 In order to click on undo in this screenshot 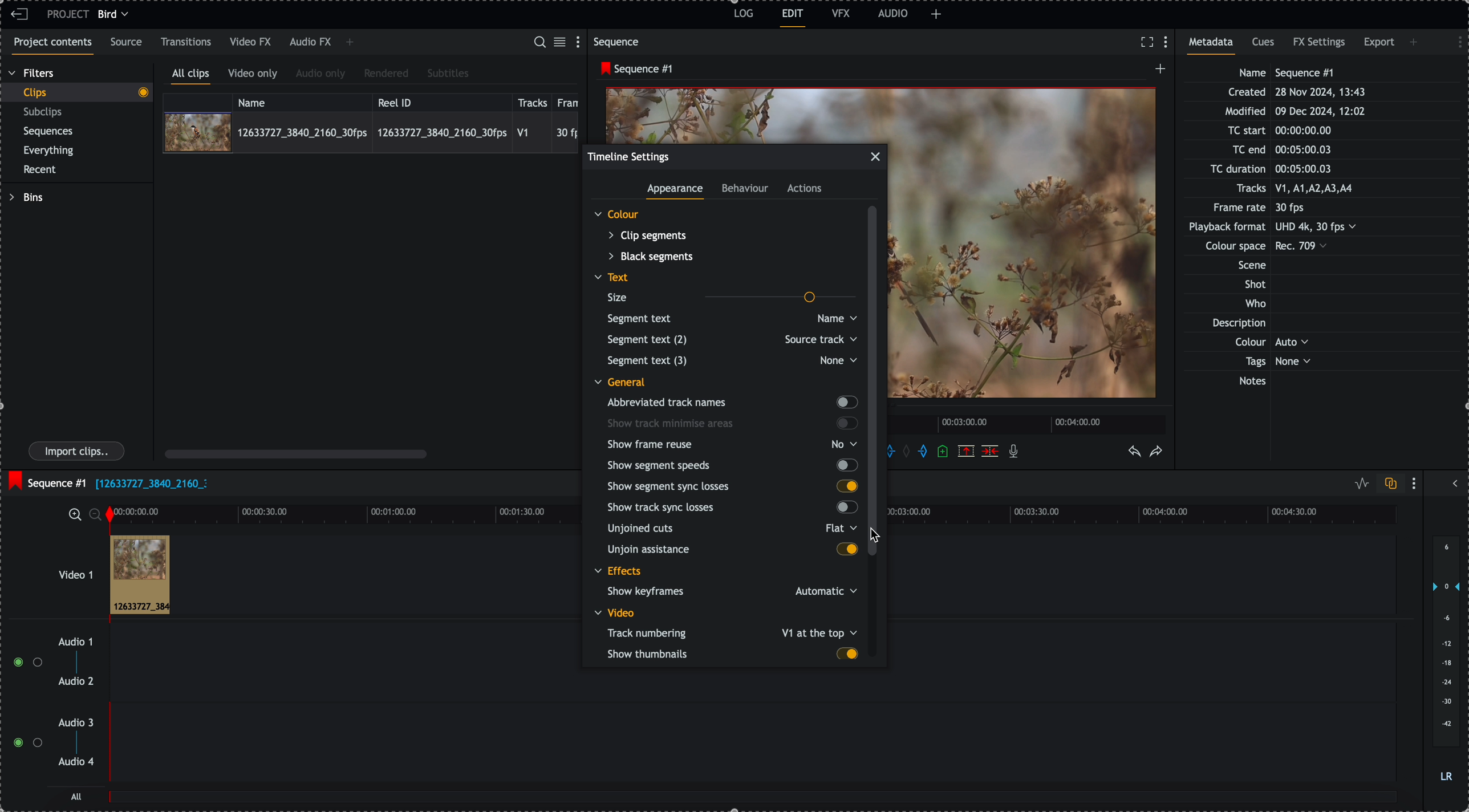, I will do `click(1135, 452)`.